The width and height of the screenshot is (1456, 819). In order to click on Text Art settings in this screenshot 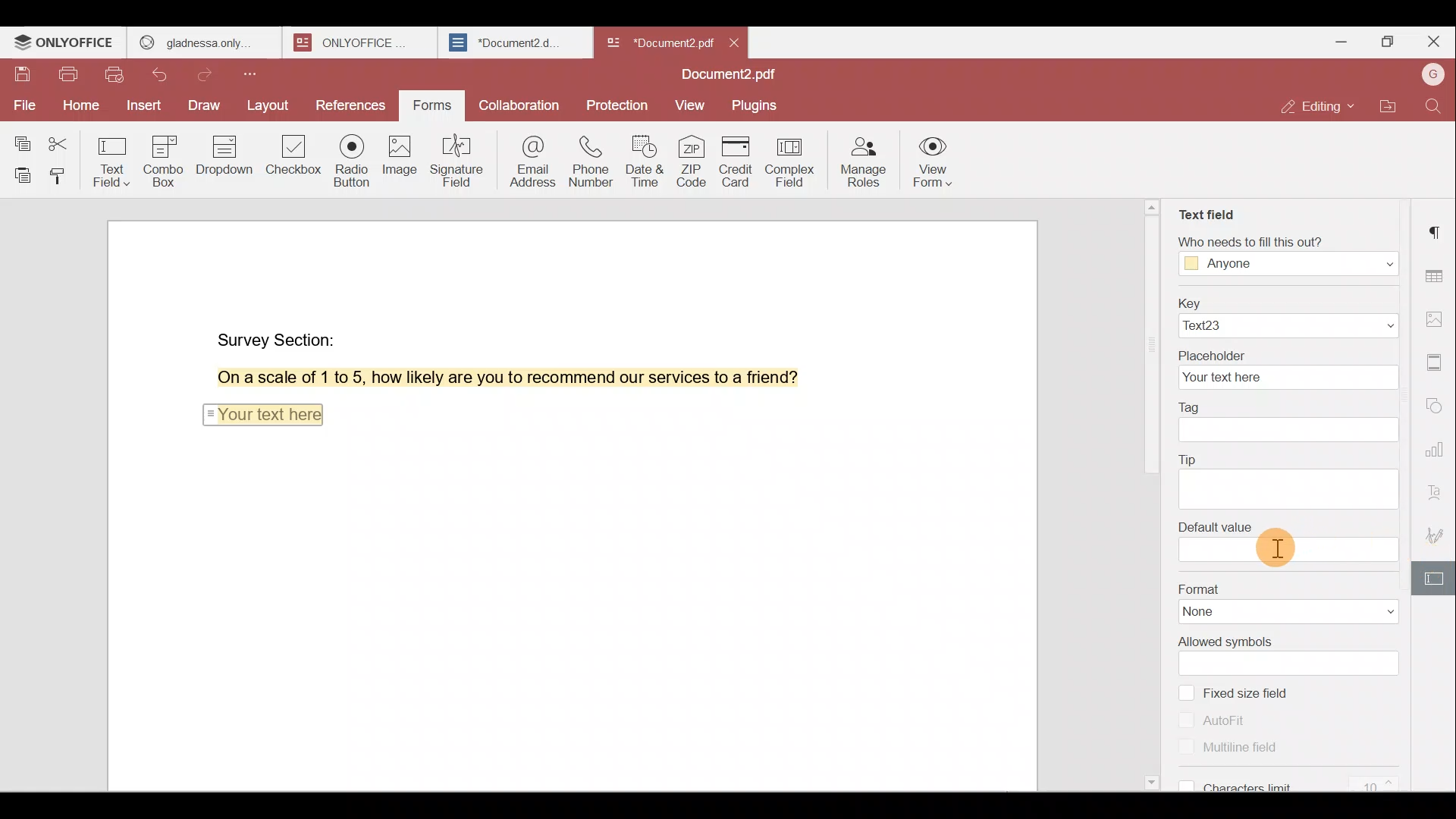, I will do `click(1437, 488)`.